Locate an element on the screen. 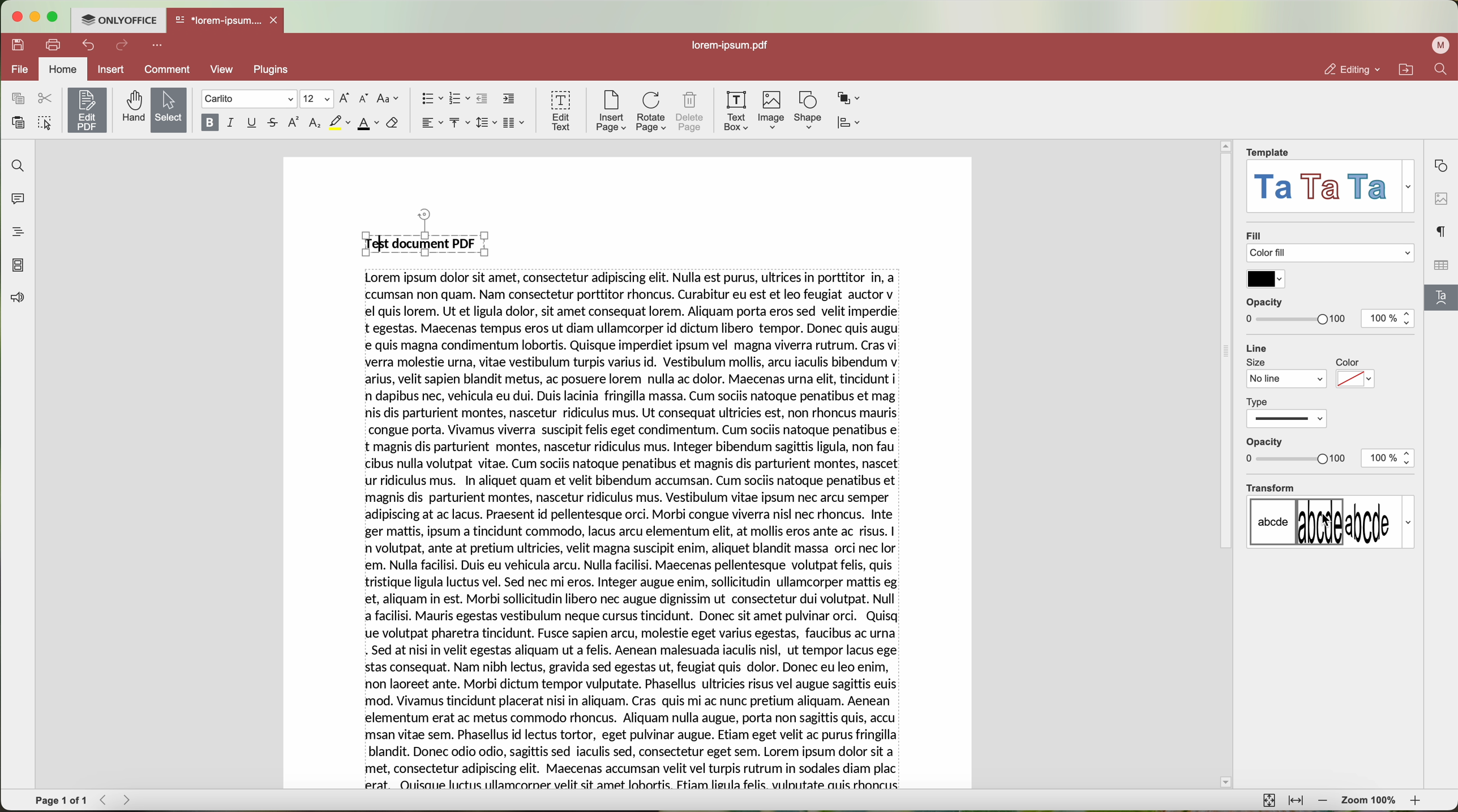  plugins is located at coordinates (275, 71).